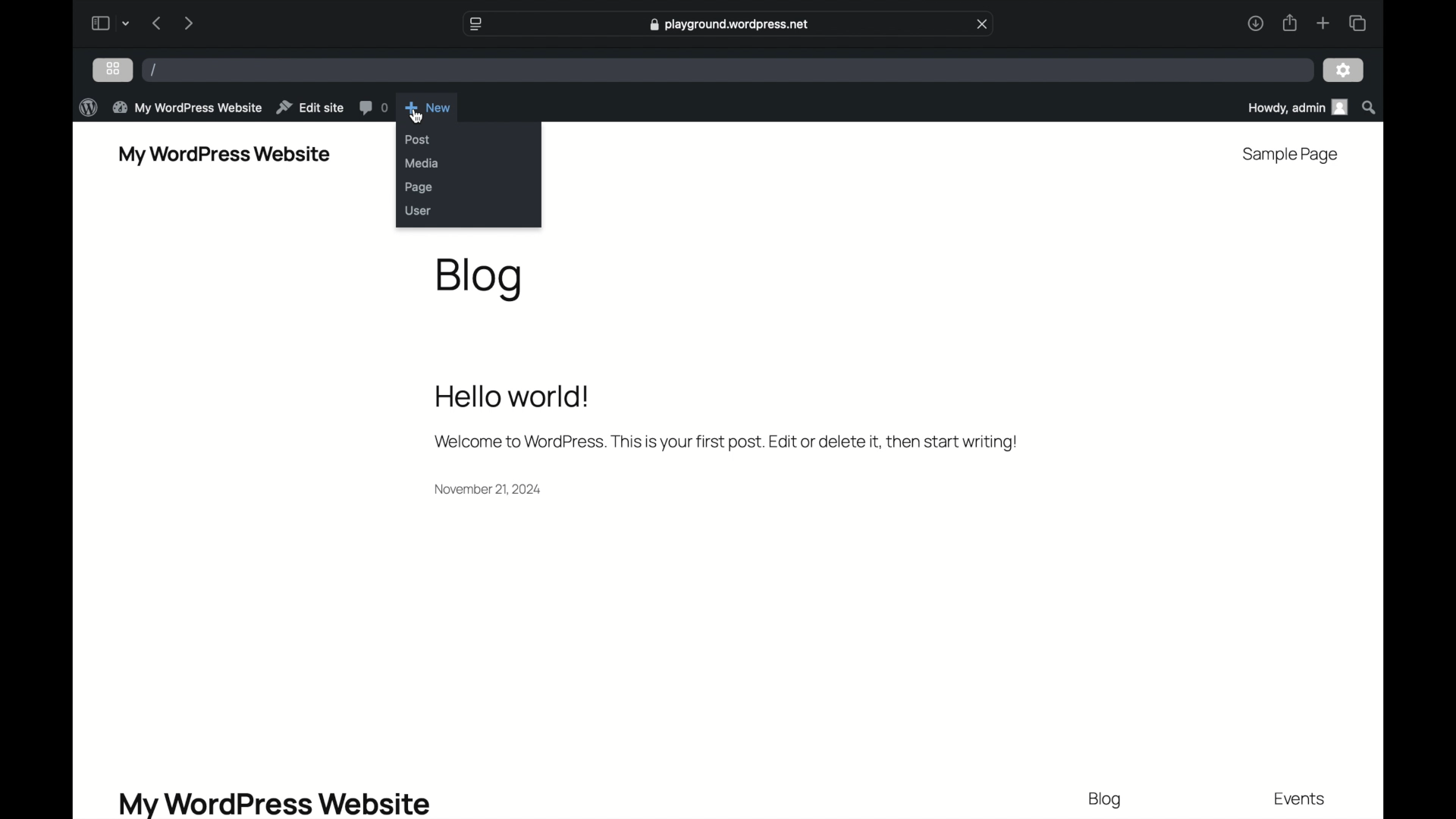  What do you see at coordinates (128, 23) in the screenshot?
I see `dropdown` at bounding box center [128, 23].